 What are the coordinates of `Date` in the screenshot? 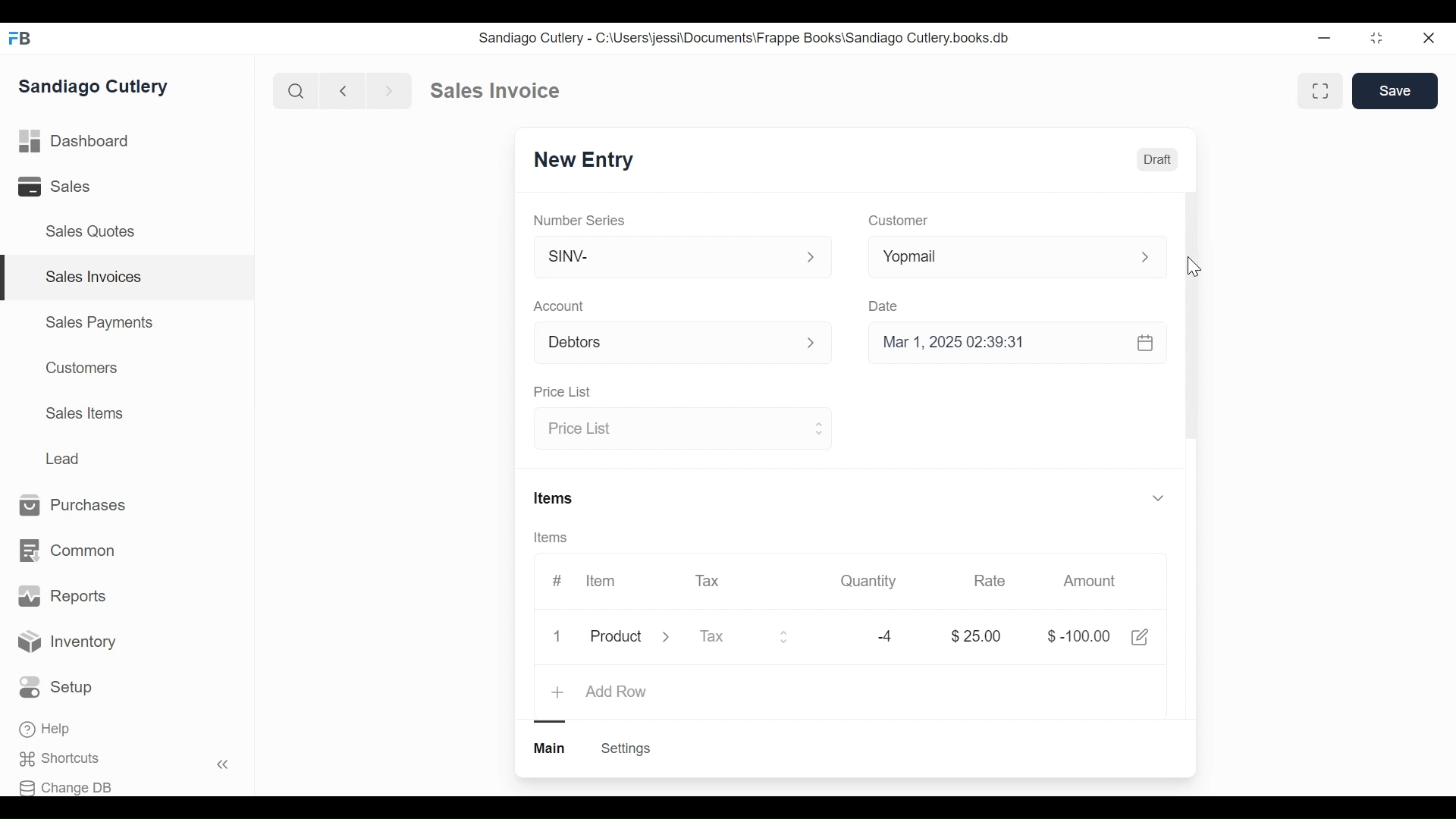 It's located at (883, 306).